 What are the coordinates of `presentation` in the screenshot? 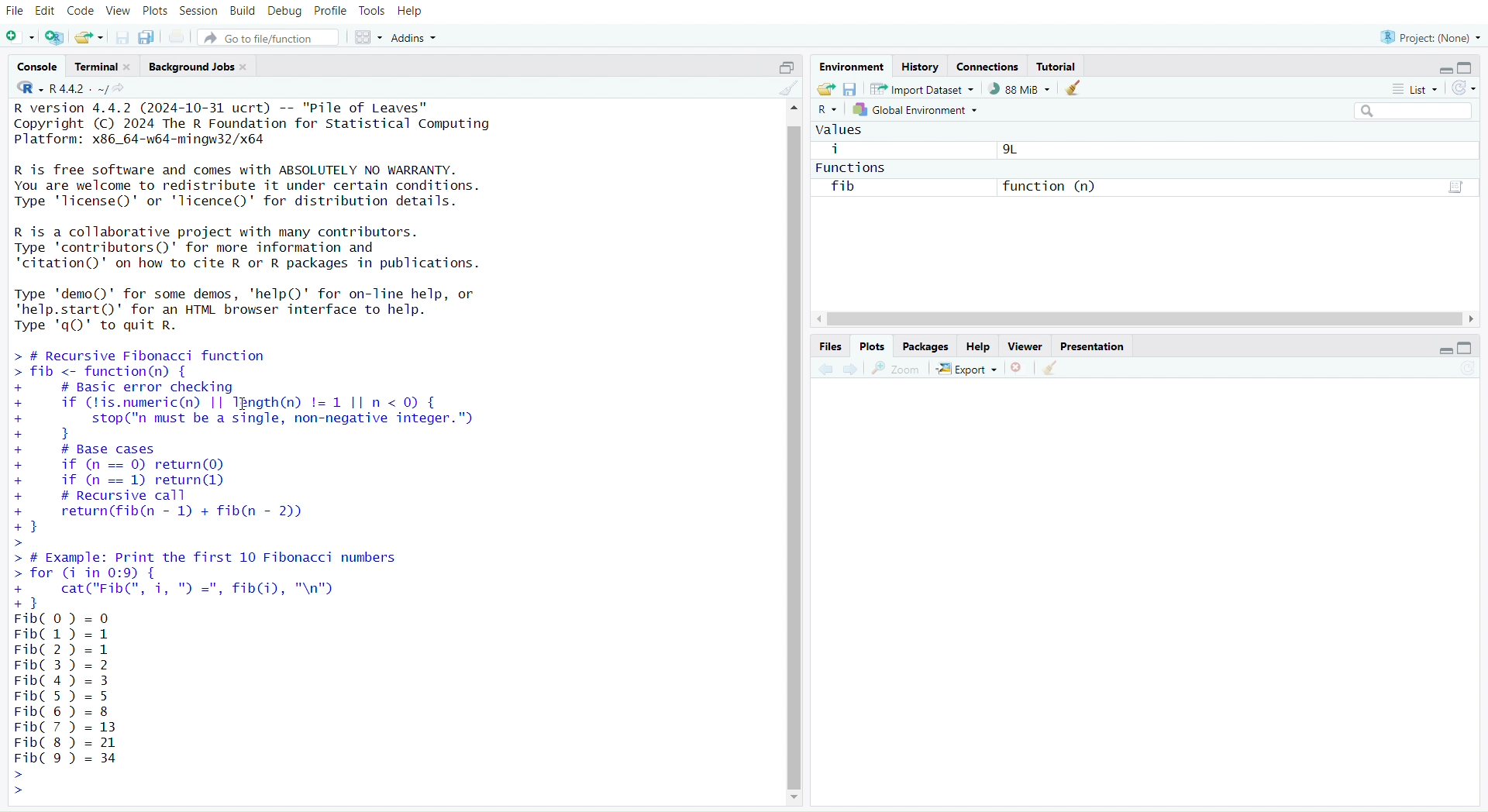 It's located at (1092, 347).